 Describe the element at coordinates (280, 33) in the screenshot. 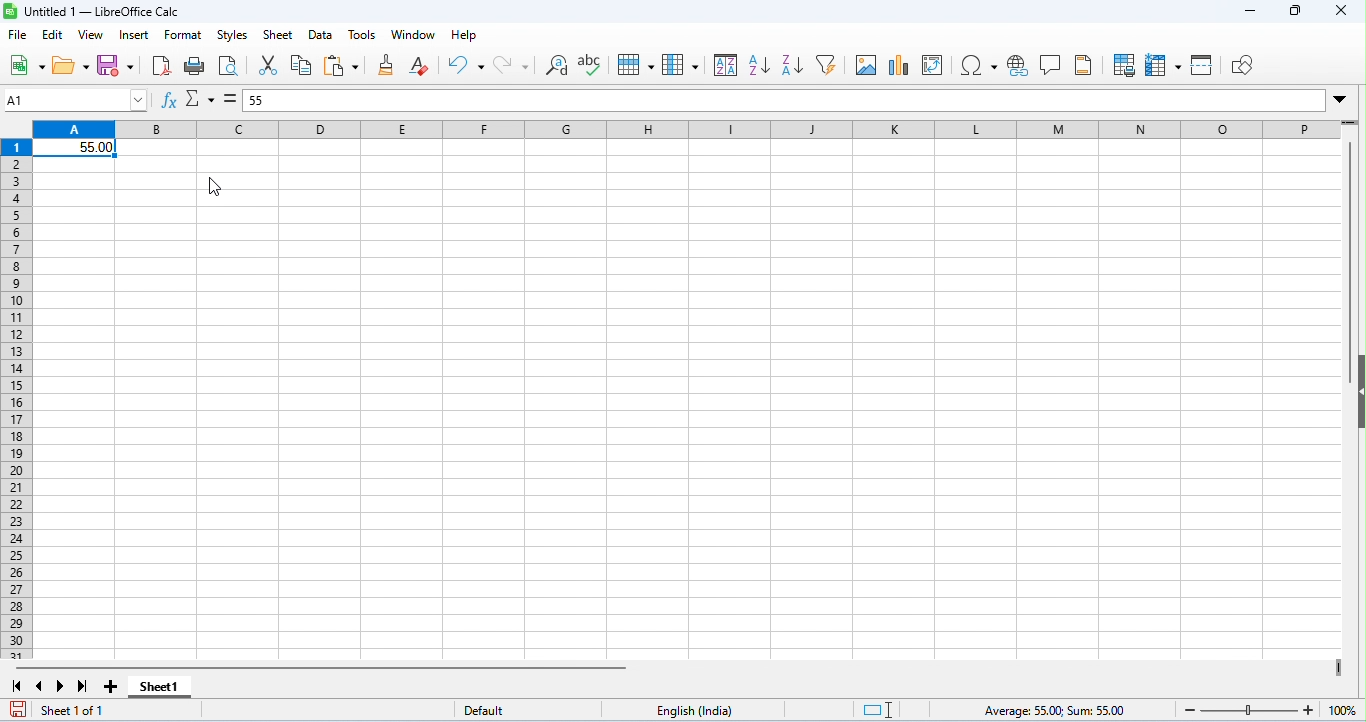

I see `sheet` at that location.